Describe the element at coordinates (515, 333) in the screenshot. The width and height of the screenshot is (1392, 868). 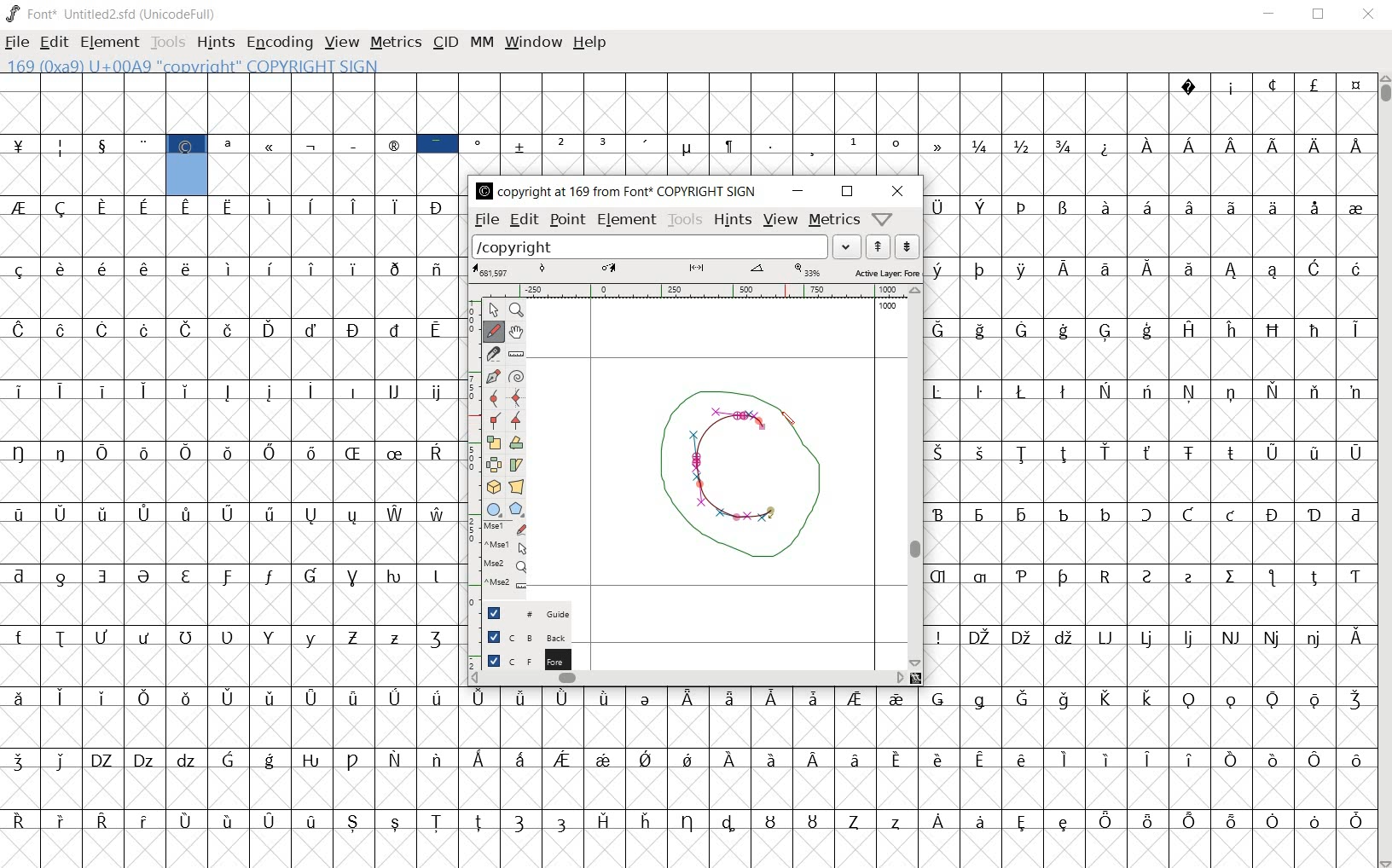
I see `scroll by hand` at that location.